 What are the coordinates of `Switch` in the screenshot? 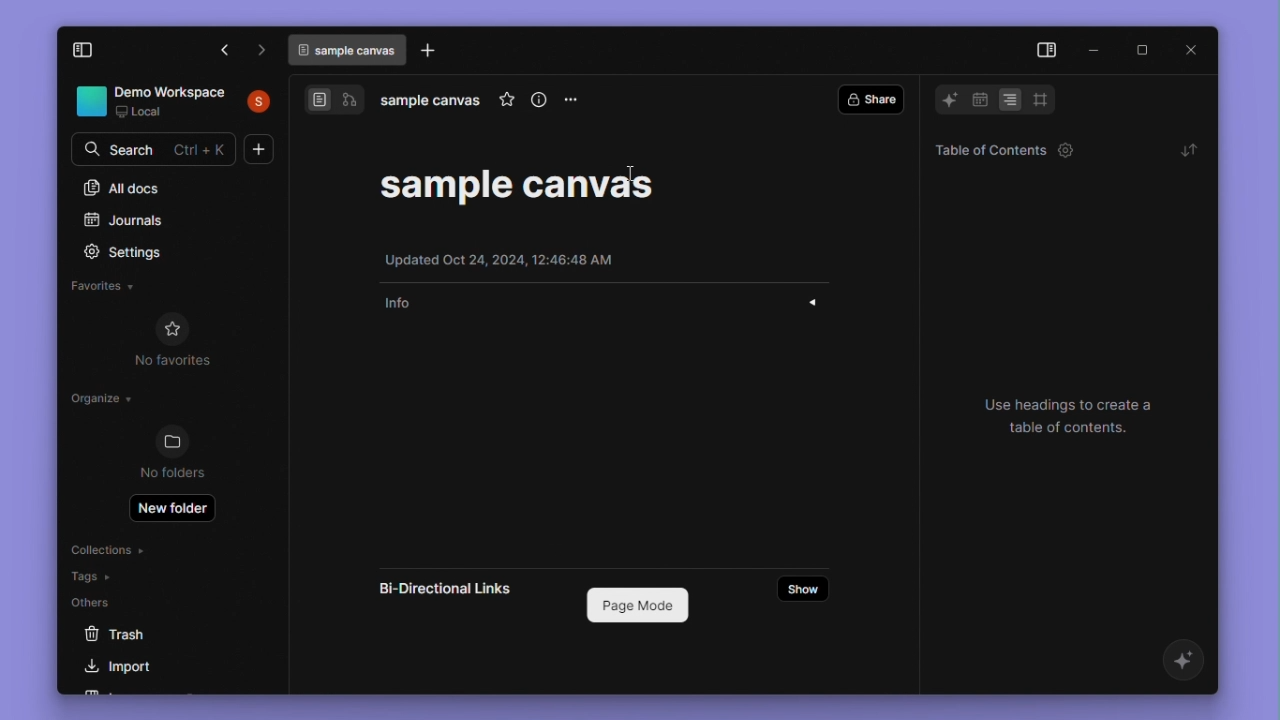 It's located at (333, 103).